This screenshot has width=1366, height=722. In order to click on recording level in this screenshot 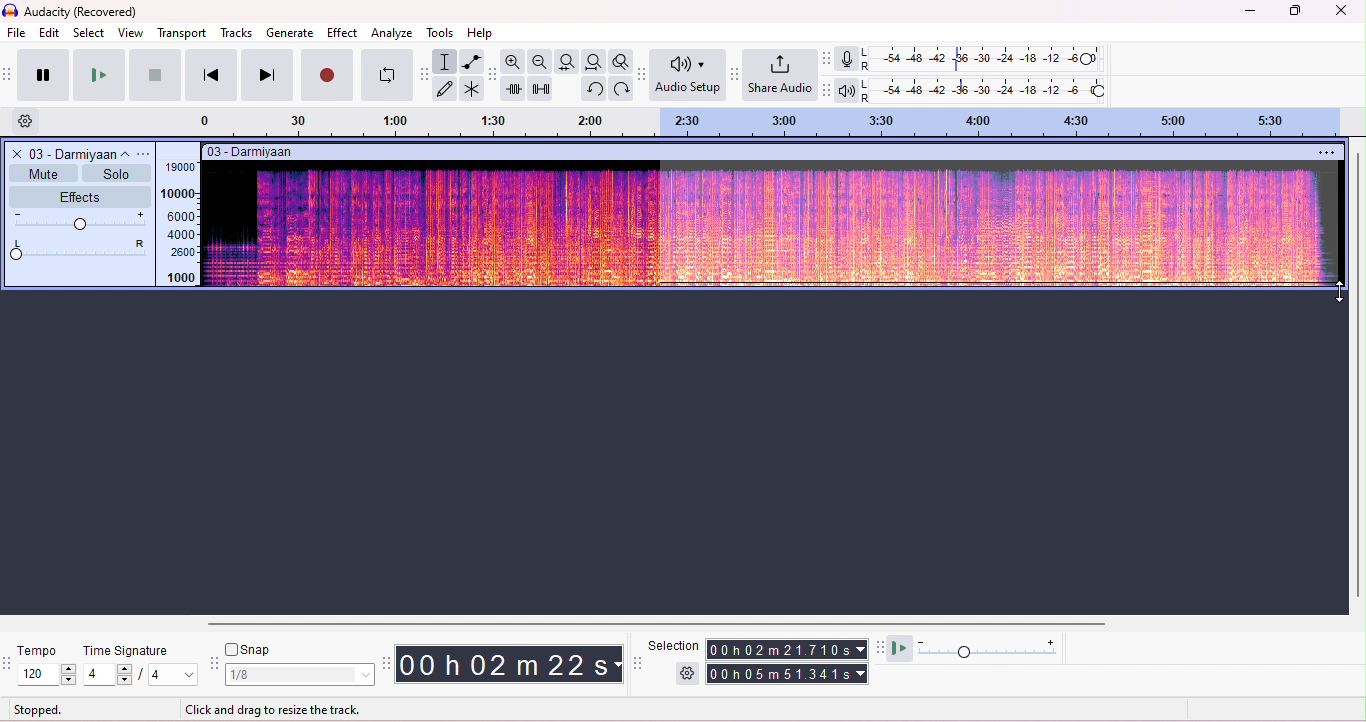, I will do `click(984, 59)`.